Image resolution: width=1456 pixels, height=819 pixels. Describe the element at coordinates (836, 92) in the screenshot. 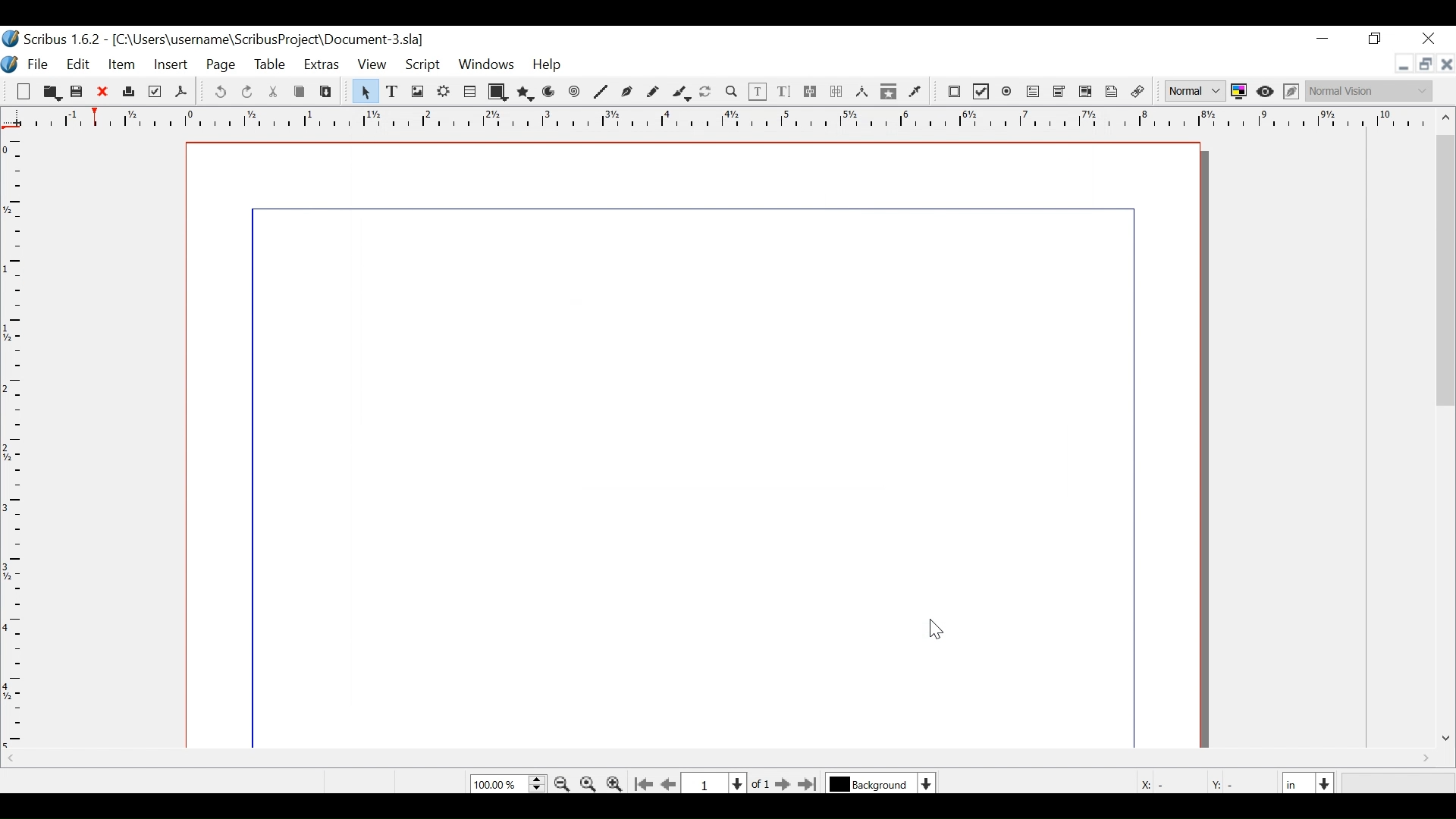

I see `Unlink text frame` at that location.